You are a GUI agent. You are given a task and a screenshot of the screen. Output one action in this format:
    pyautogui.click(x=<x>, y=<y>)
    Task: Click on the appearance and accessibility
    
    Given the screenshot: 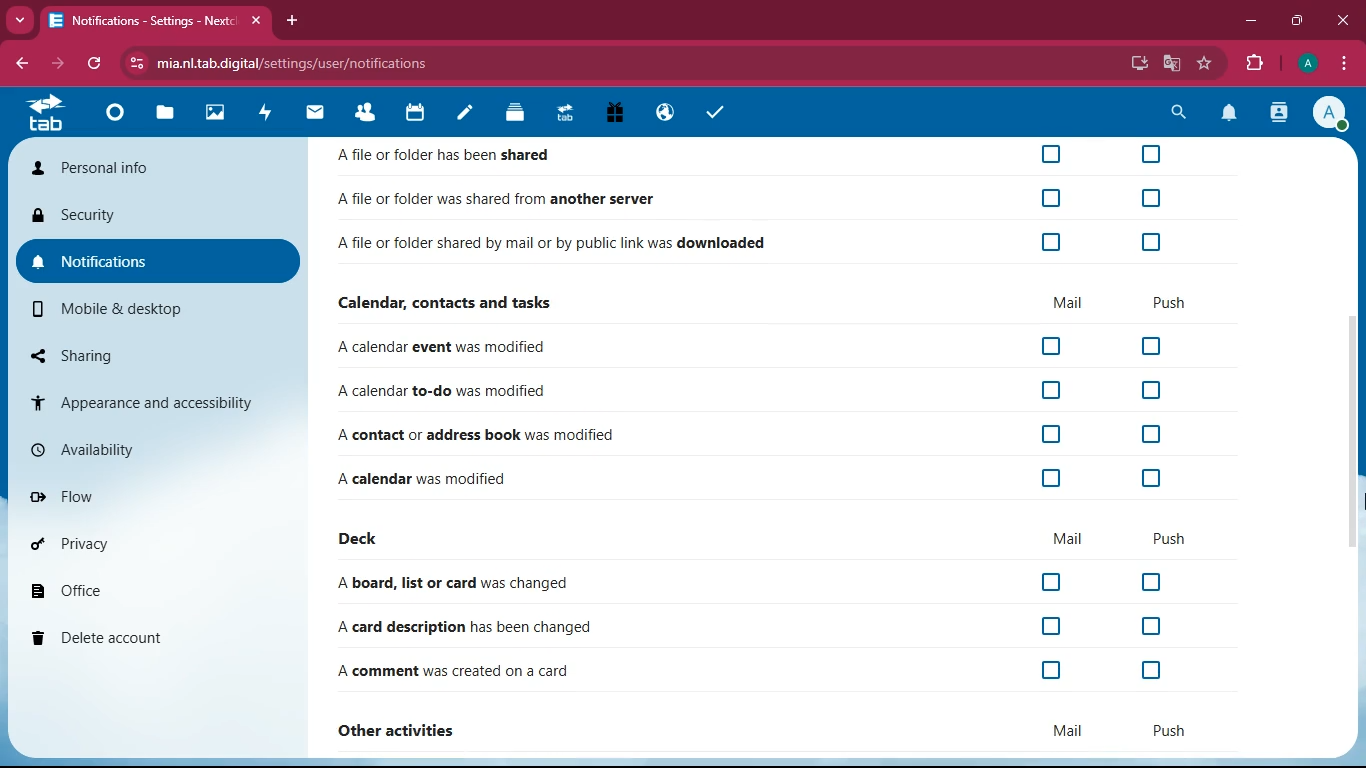 What is the action you would take?
    pyautogui.click(x=155, y=403)
    